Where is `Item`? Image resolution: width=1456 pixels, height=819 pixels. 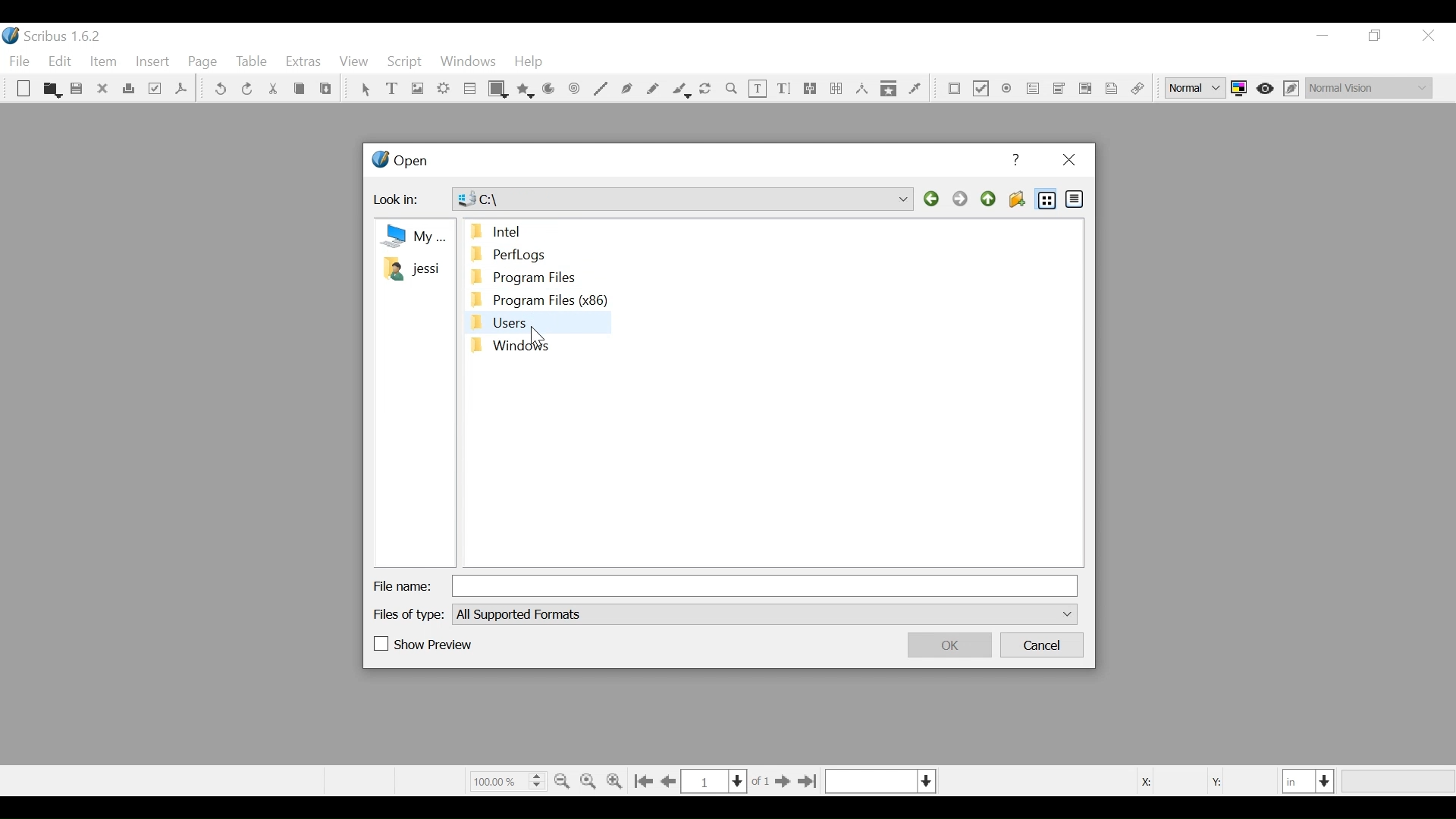
Item is located at coordinates (102, 62).